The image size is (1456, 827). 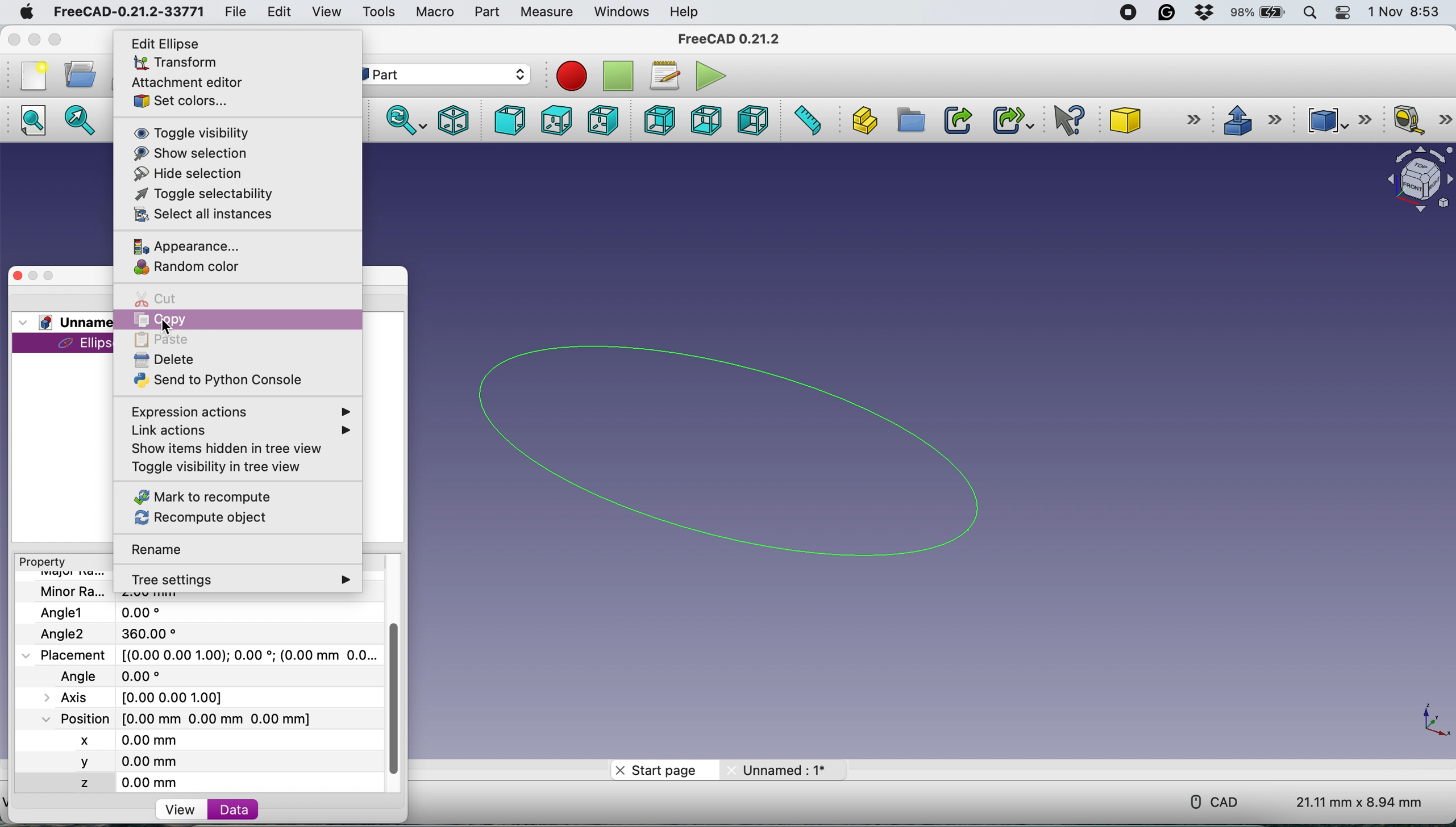 I want to click on poaition, so click(x=207, y=718).